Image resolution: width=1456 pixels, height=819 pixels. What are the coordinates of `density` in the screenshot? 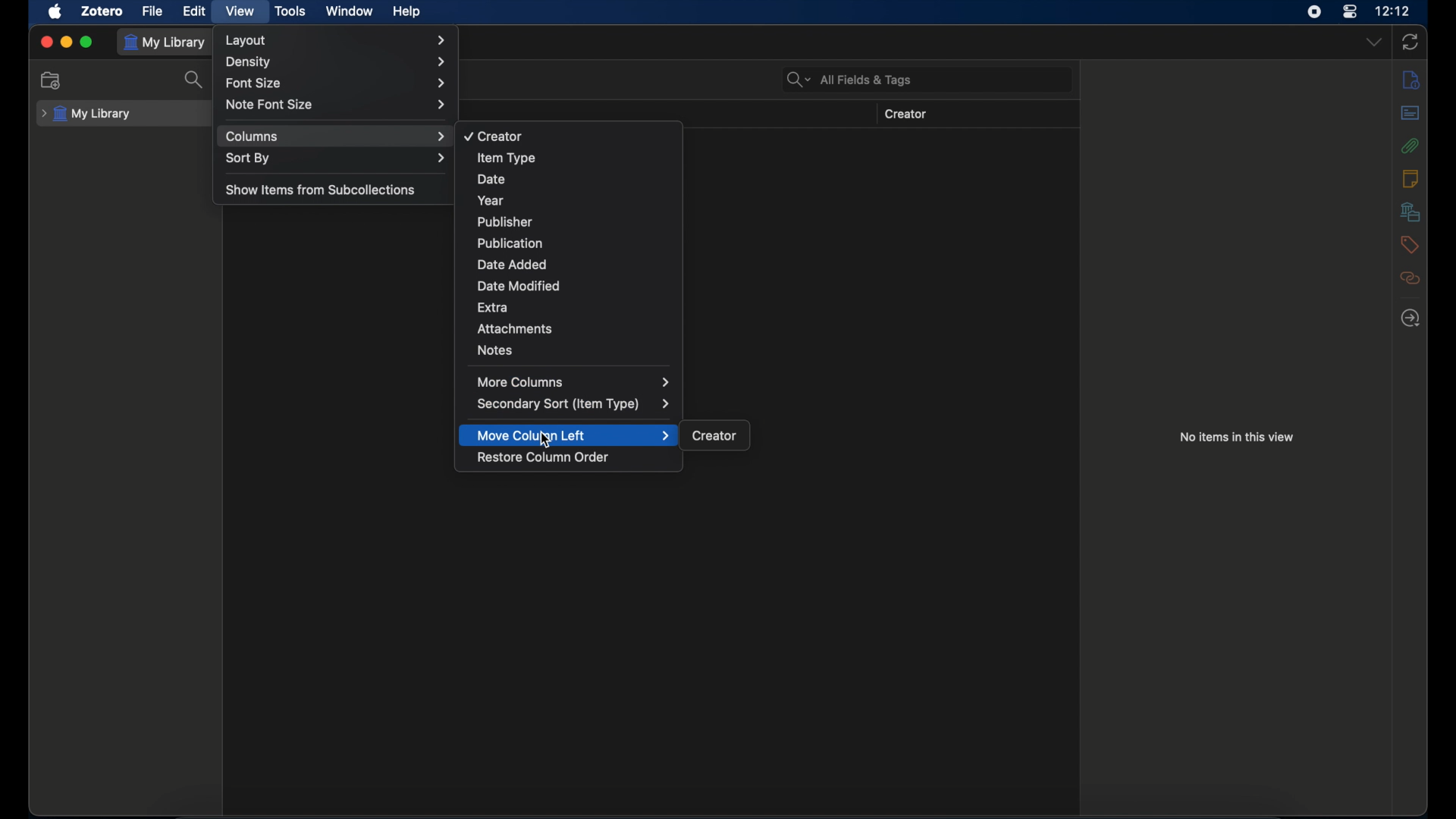 It's located at (336, 62).